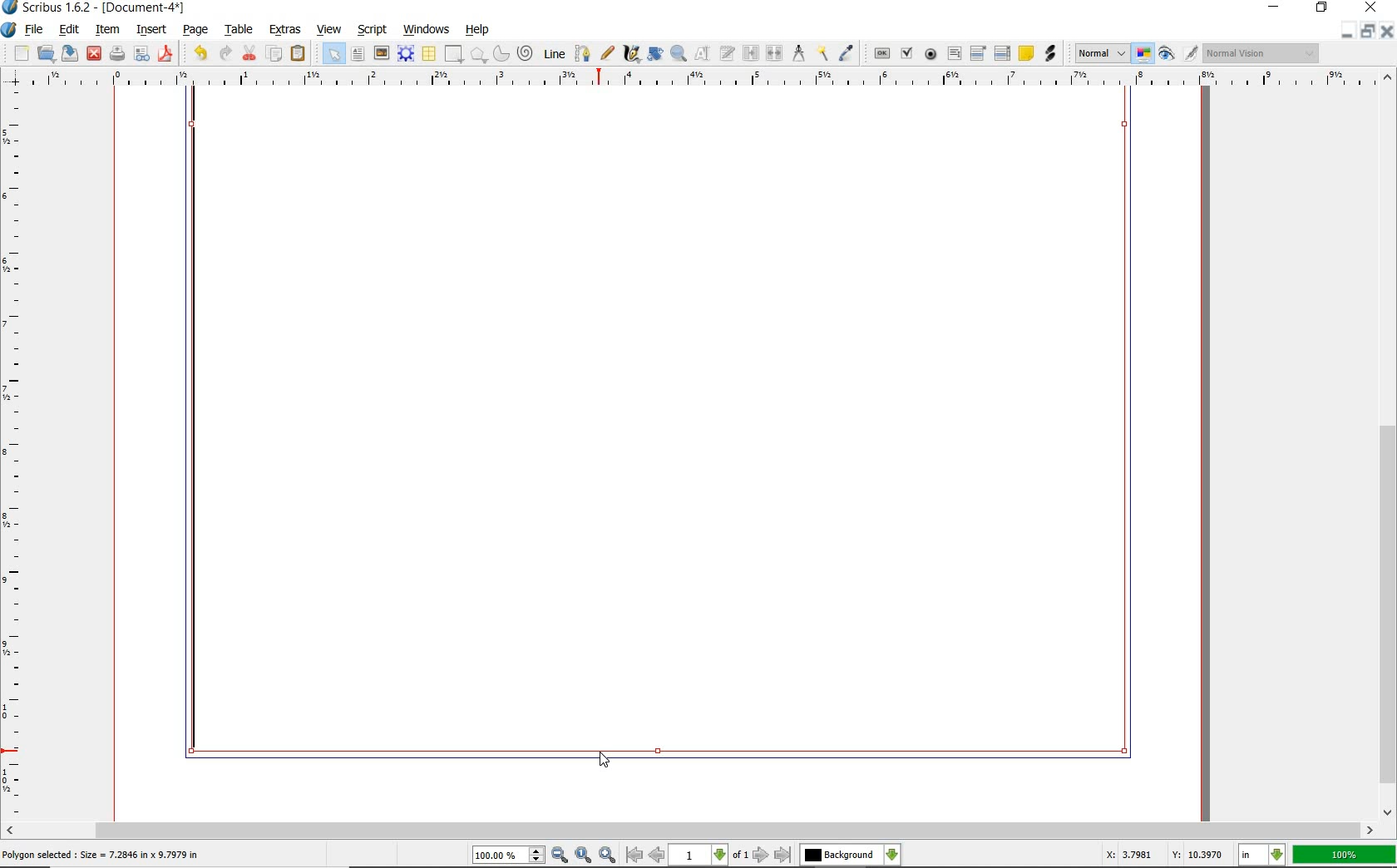 The height and width of the screenshot is (868, 1397). I want to click on edit contents of frame, so click(701, 53).